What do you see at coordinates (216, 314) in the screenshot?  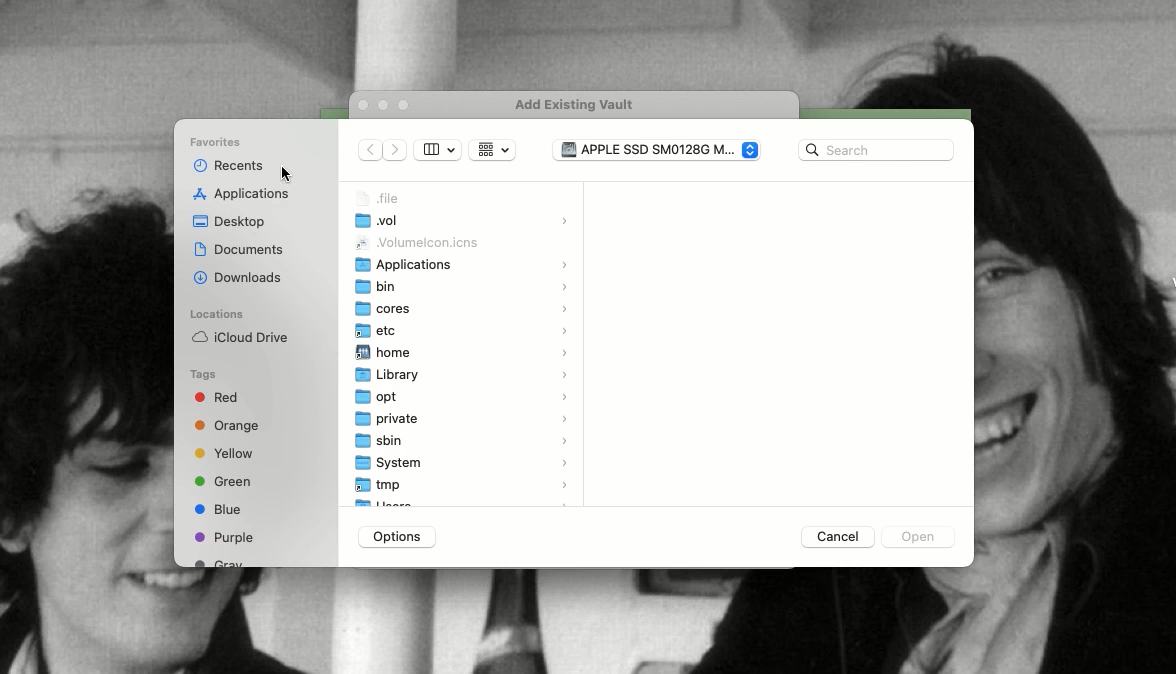 I see `Locations` at bounding box center [216, 314].